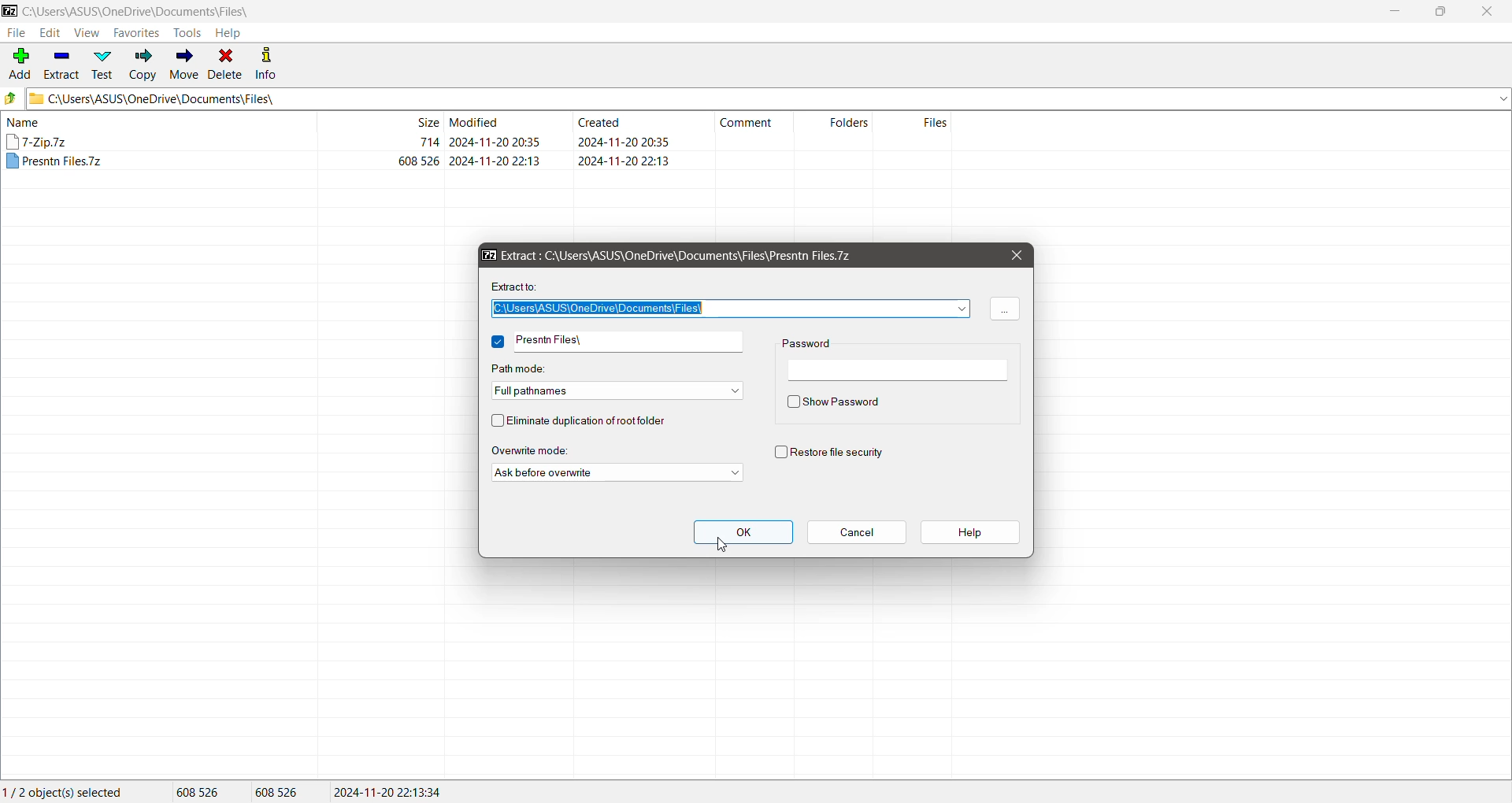 This screenshot has width=1512, height=803. What do you see at coordinates (858, 533) in the screenshot?
I see `Cancel` at bounding box center [858, 533].